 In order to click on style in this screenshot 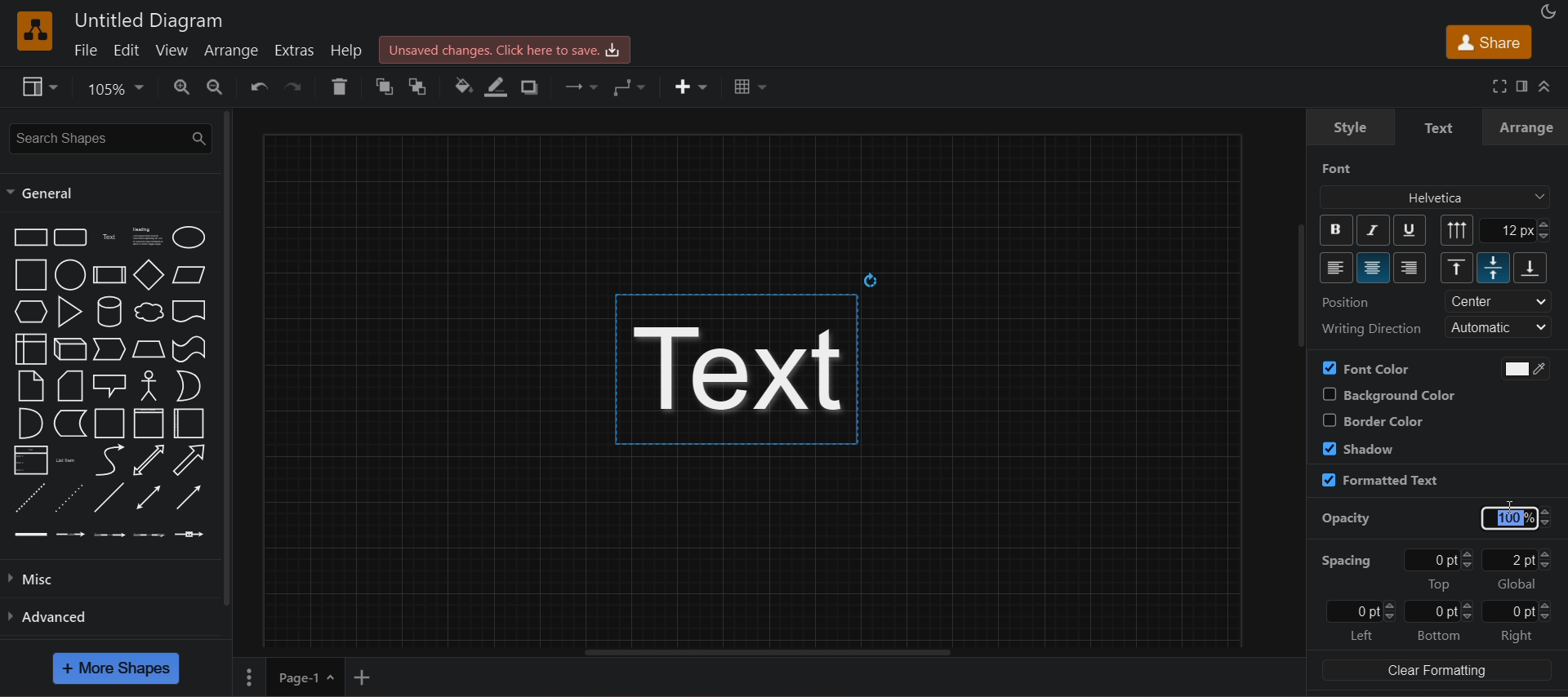, I will do `click(1350, 127)`.